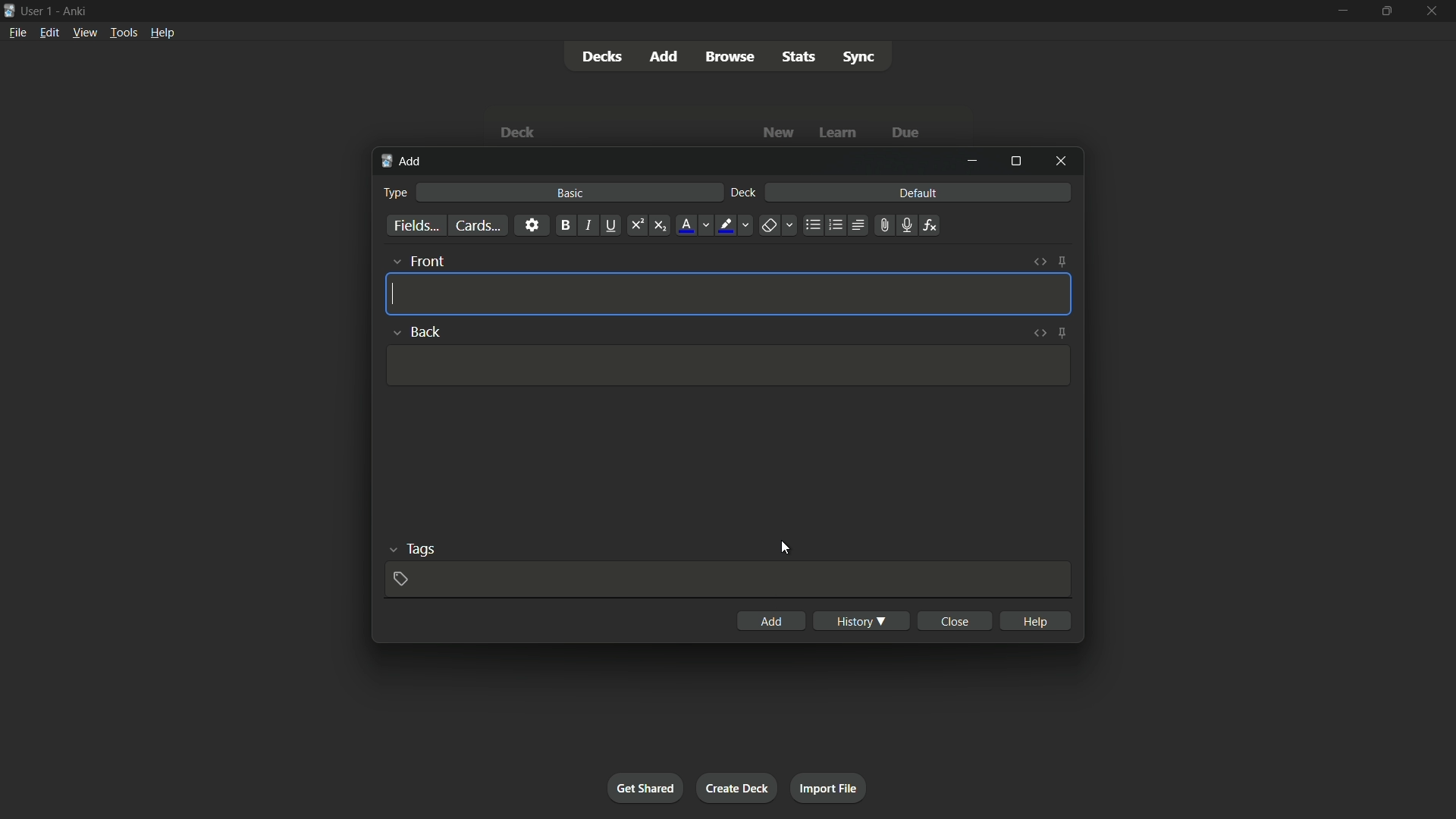  I want to click on deck, so click(743, 192).